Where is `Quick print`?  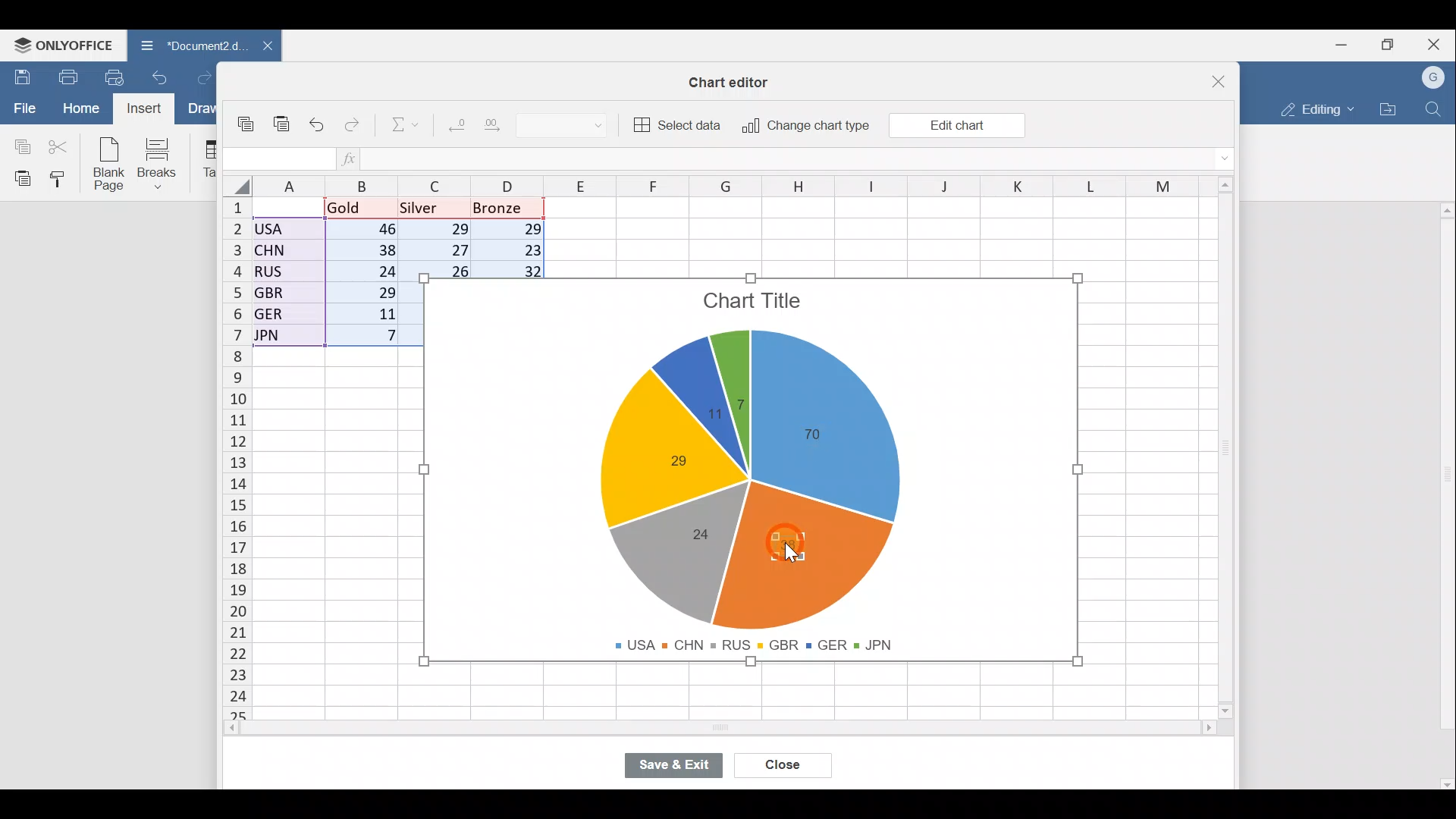
Quick print is located at coordinates (119, 74).